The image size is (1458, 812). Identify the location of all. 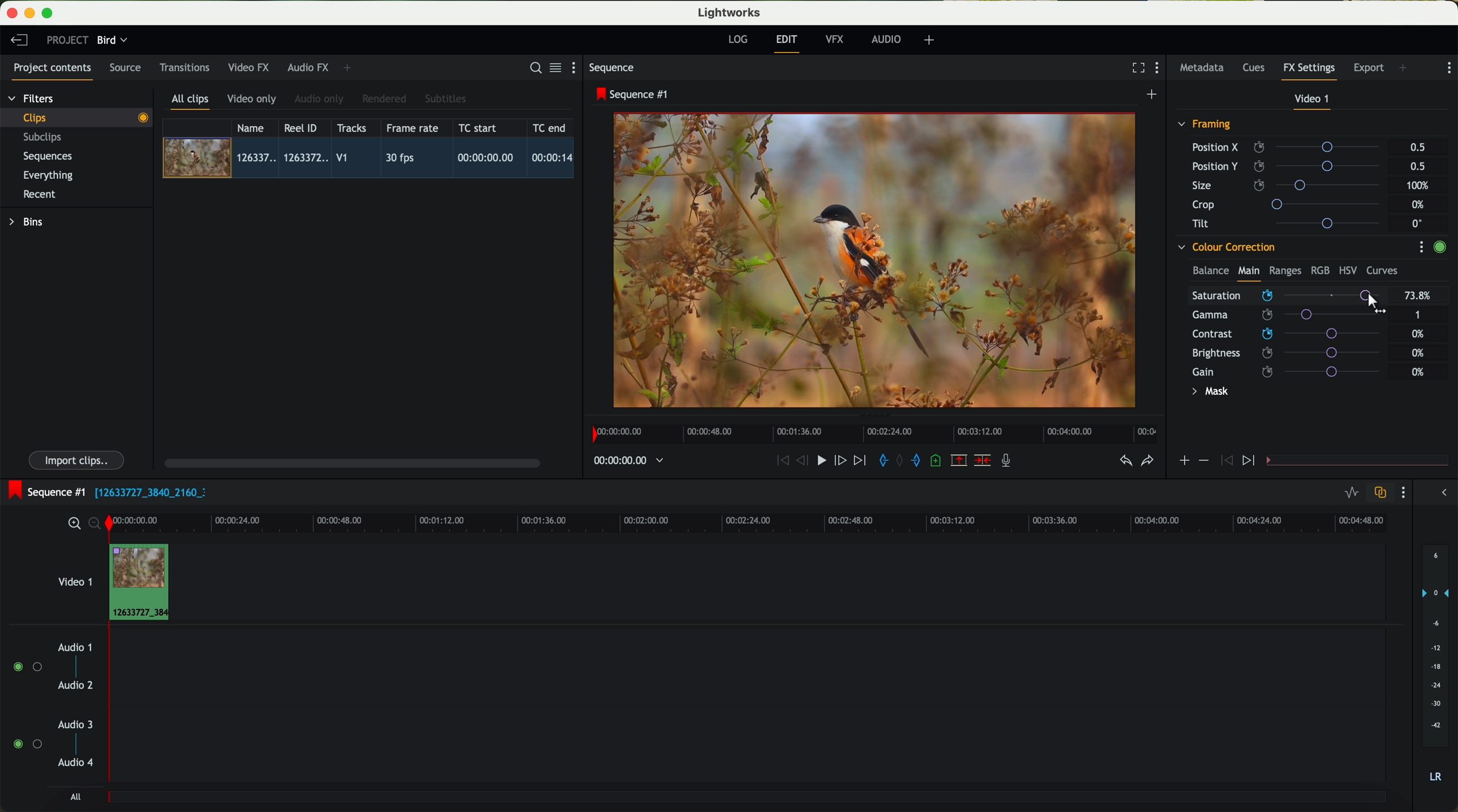
(75, 797).